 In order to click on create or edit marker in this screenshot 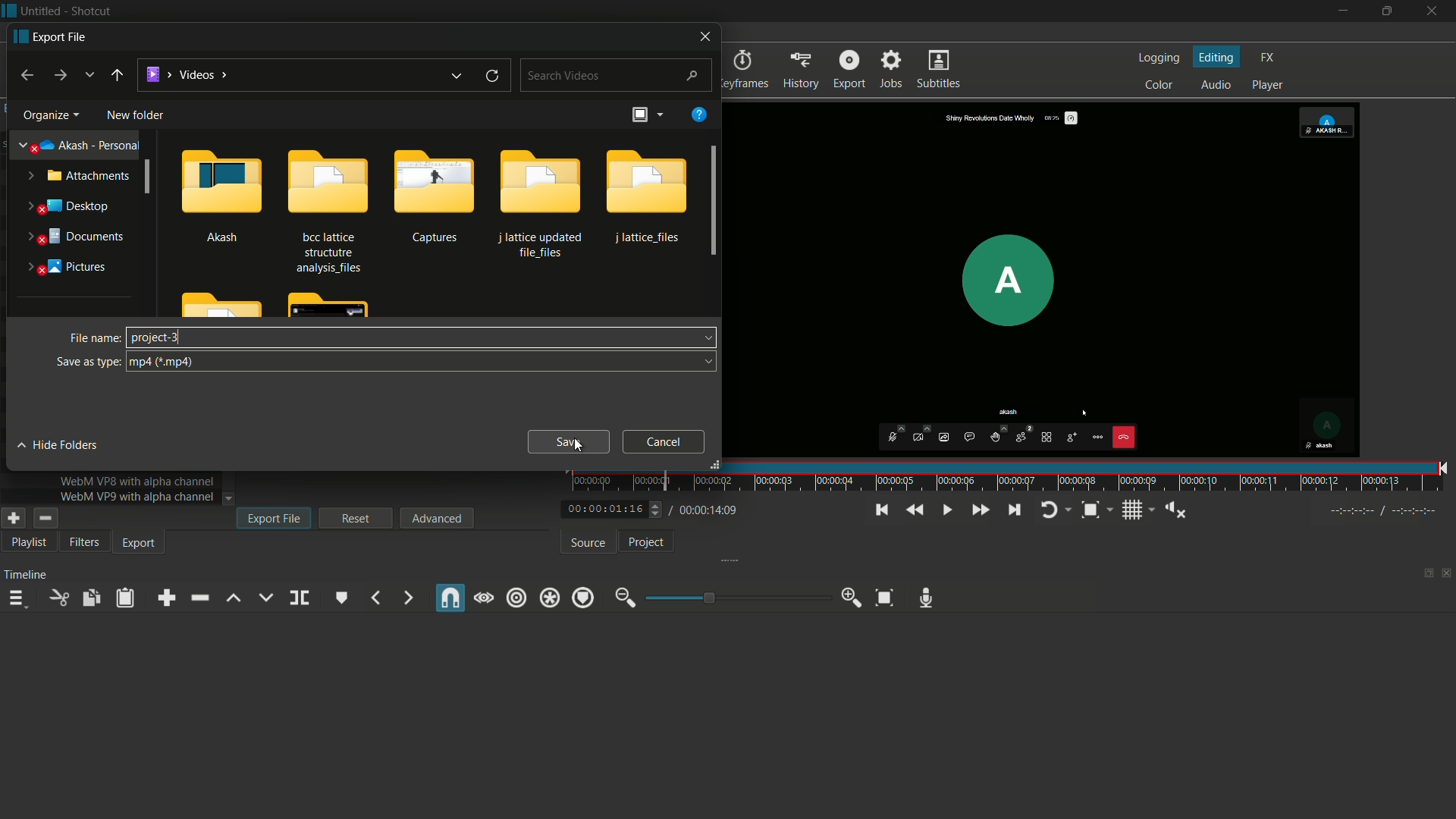, I will do `click(343, 598)`.